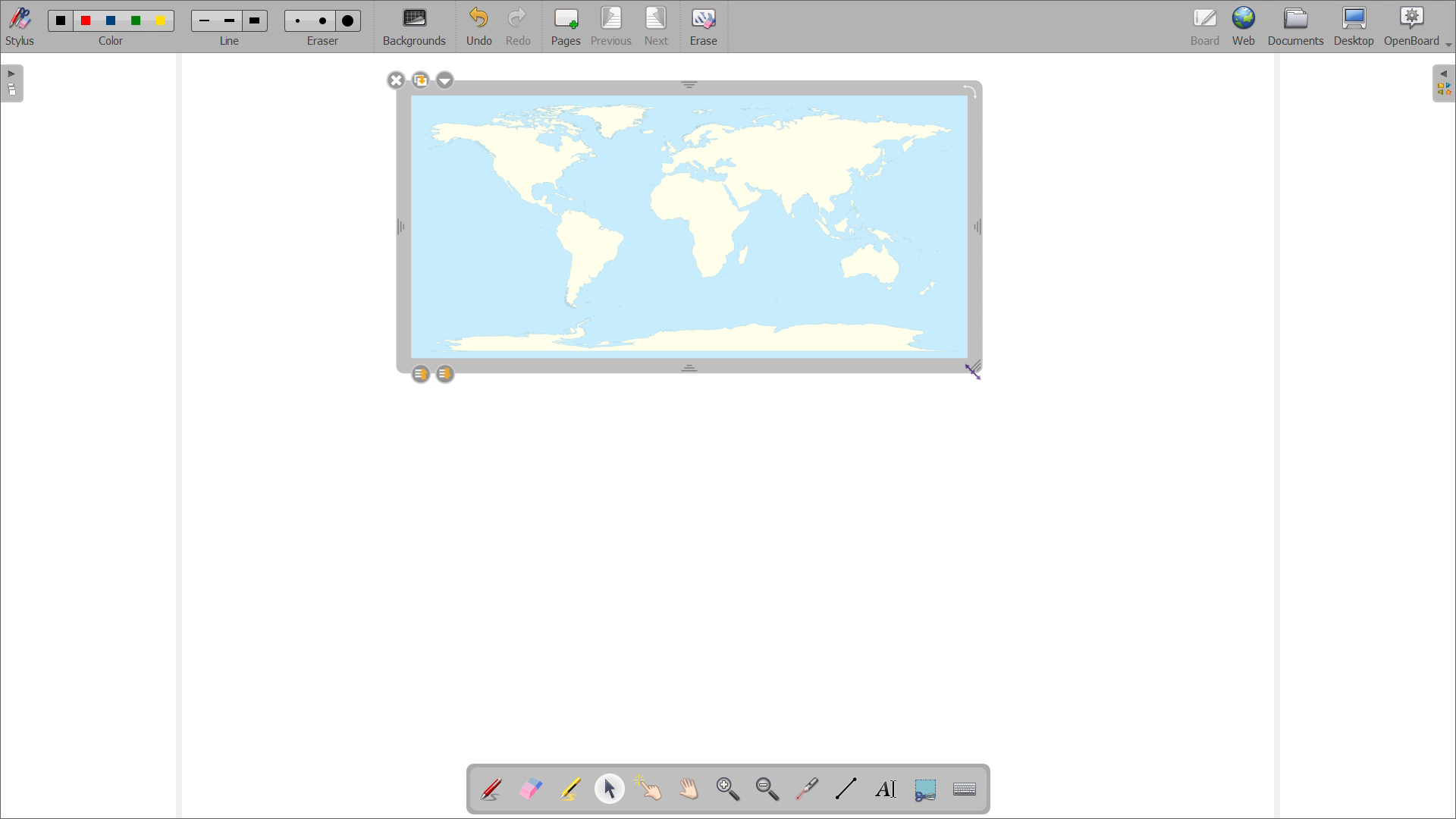 The image size is (1456, 819). Describe the element at coordinates (974, 372) in the screenshot. I see `cursor` at that location.